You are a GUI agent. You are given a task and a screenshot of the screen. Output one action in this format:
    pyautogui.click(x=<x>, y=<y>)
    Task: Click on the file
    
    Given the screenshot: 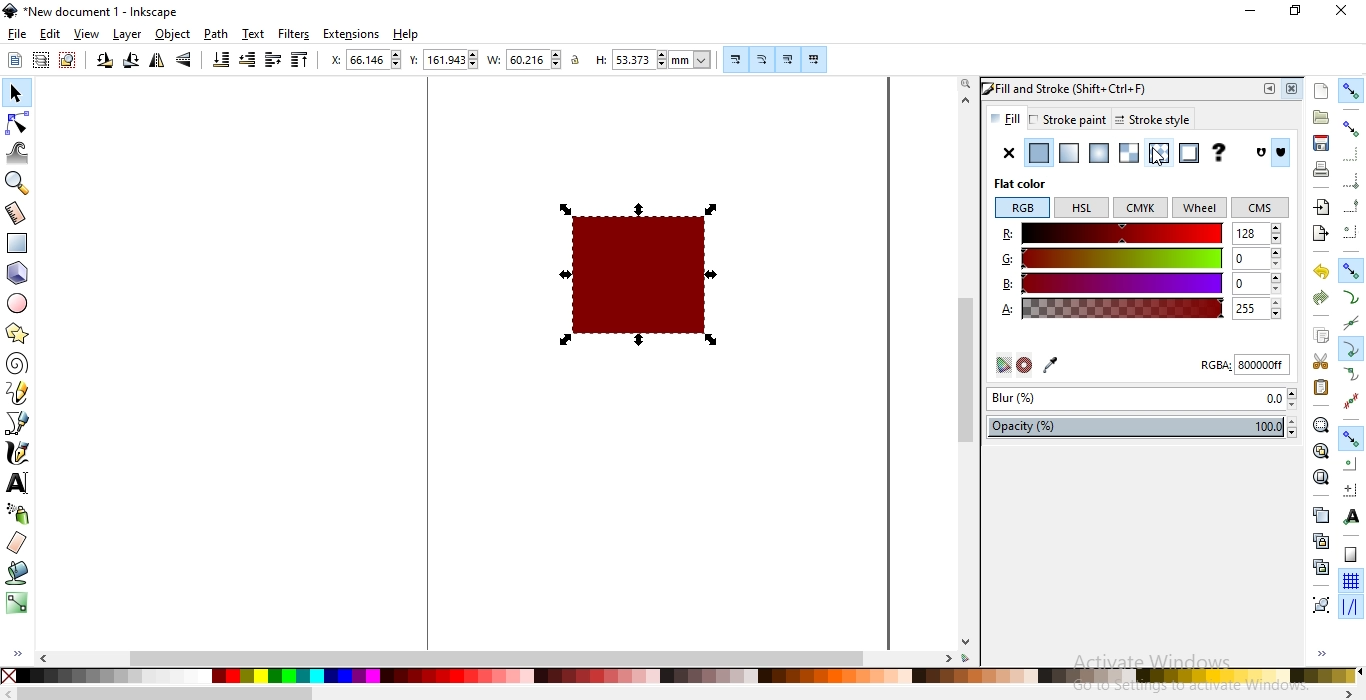 What is the action you would take?
    pyautogui.click(x=18, y=35)
    